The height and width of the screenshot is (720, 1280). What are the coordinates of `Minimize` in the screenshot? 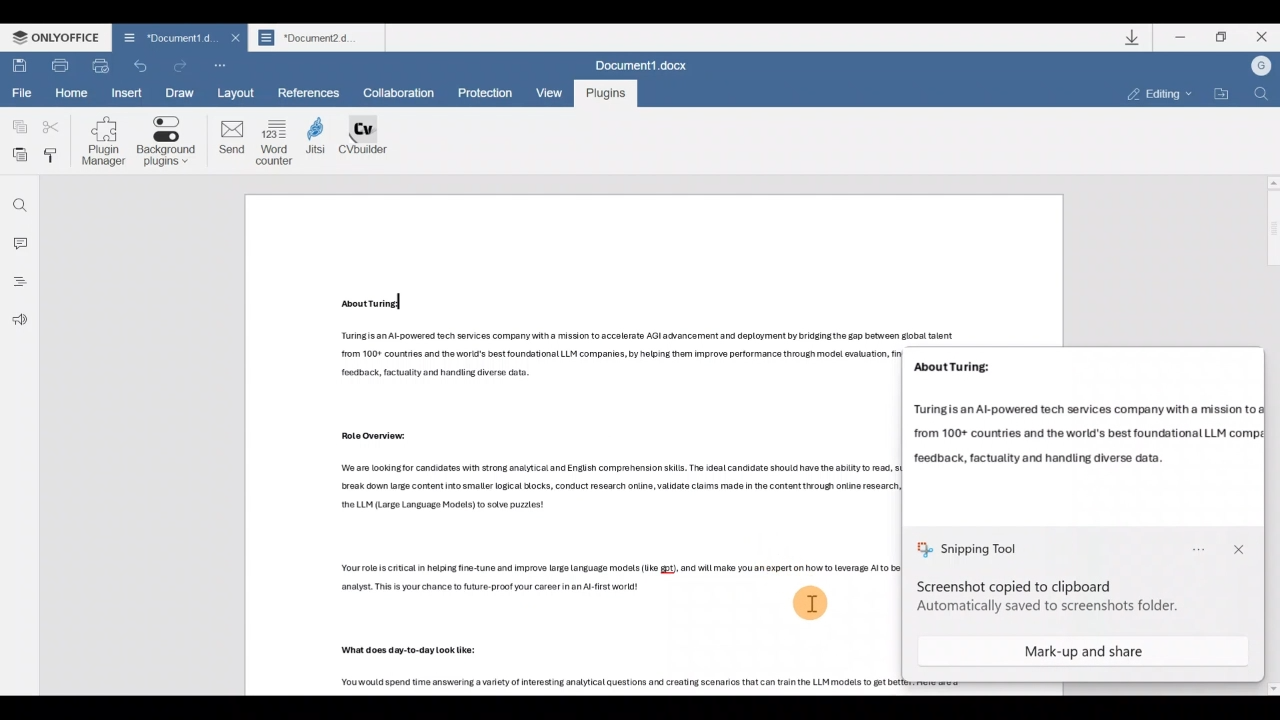 It's located at (1180, 40).